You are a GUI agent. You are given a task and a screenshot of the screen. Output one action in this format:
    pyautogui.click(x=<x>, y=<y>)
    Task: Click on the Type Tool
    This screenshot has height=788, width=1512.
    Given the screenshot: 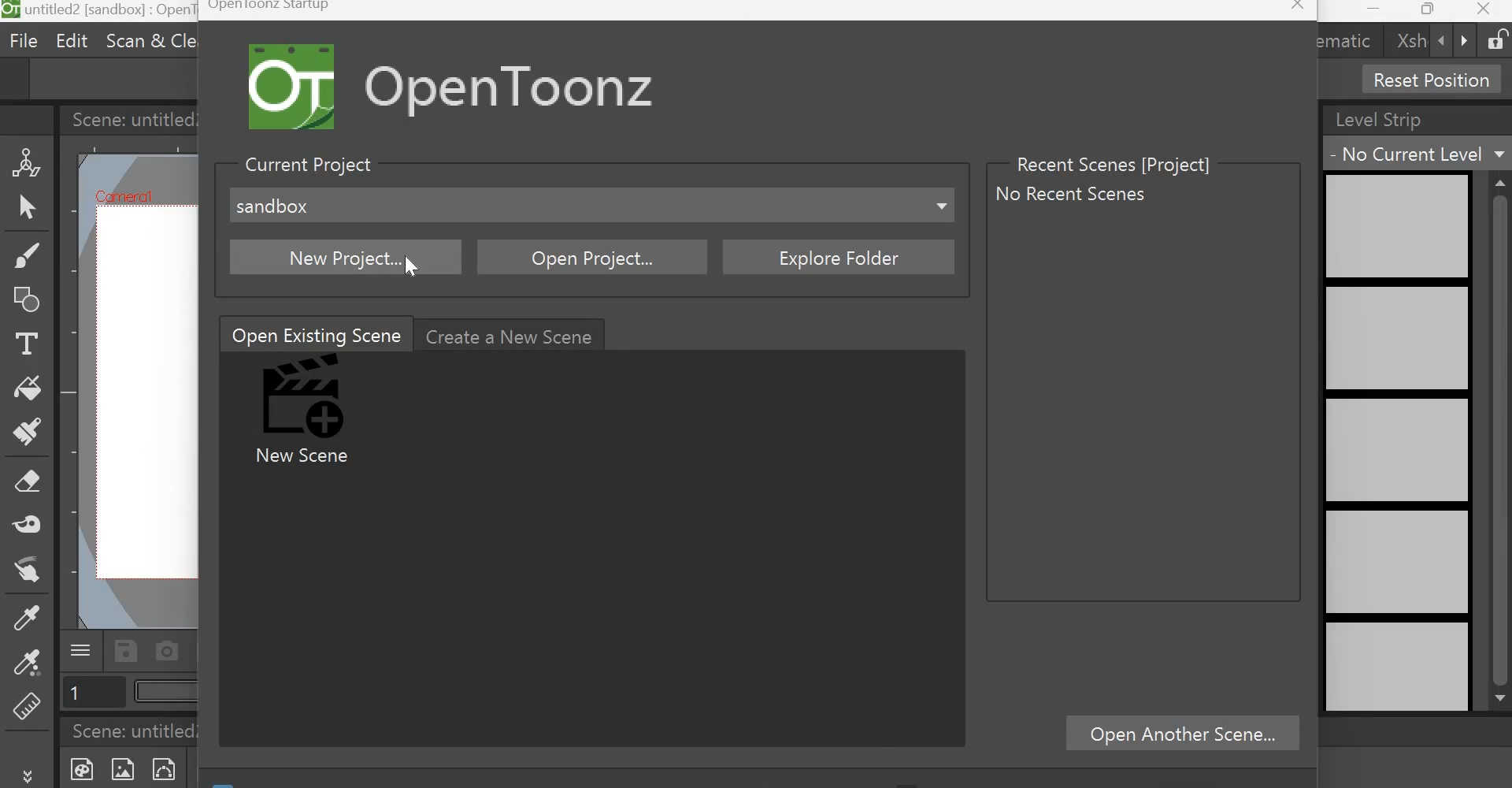 What is the action you would take?
    pyautogui.click(x=24, y=346)
    